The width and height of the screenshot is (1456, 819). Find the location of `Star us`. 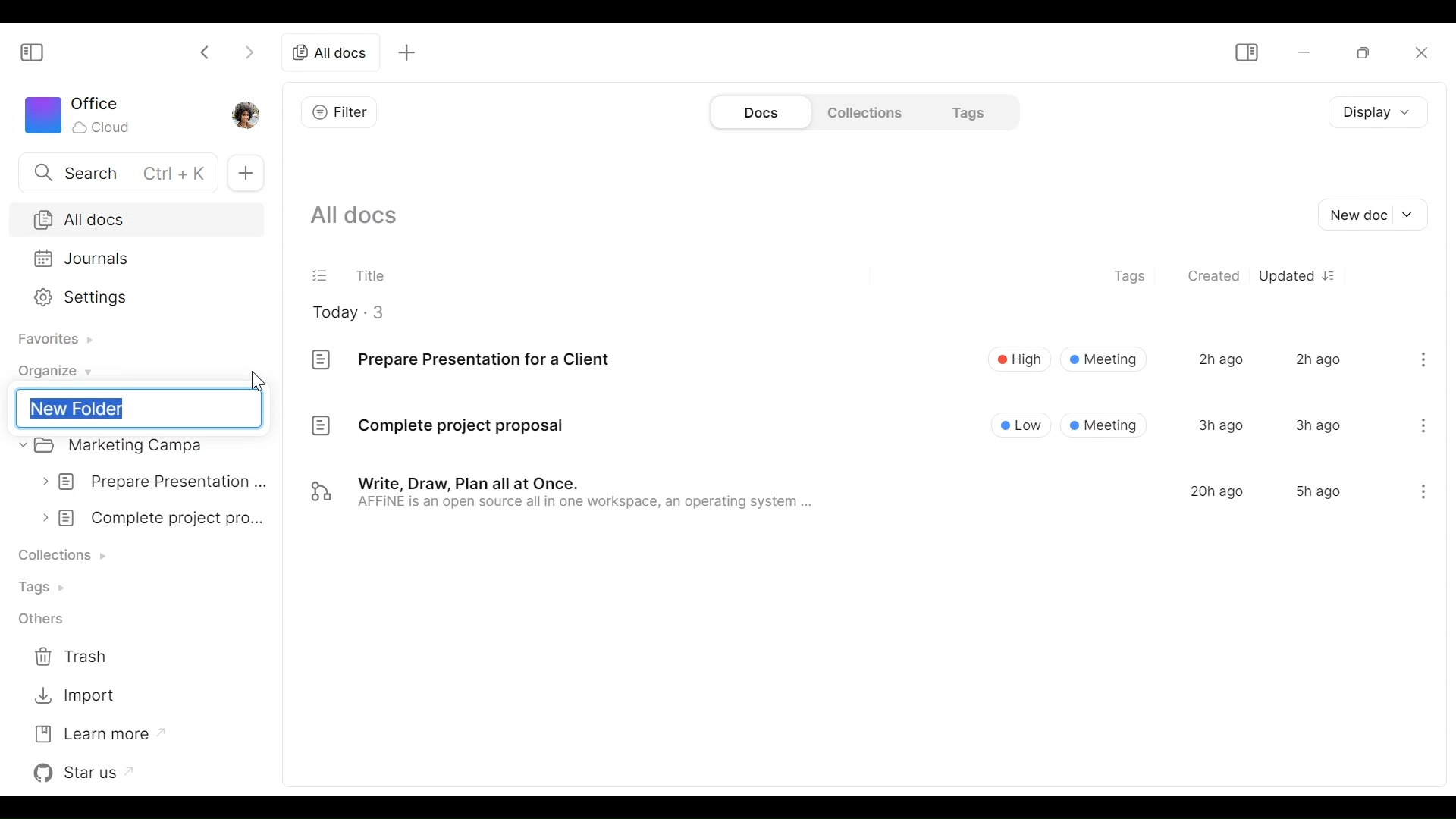

Star us is located at coordinates (87, 771).